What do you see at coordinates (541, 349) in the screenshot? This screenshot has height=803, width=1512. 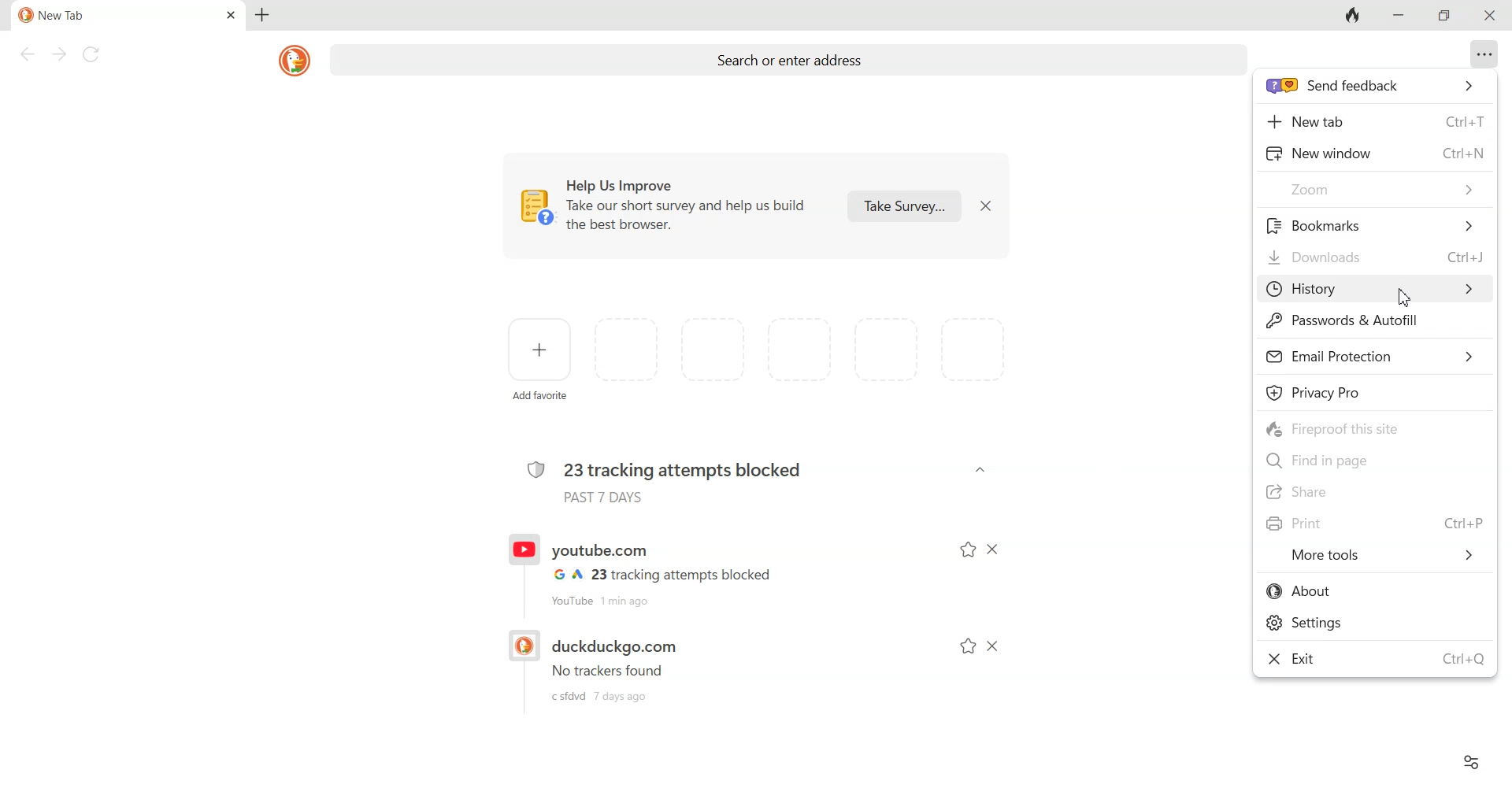 I see `Add favorite` at bounding box center [541, 349].